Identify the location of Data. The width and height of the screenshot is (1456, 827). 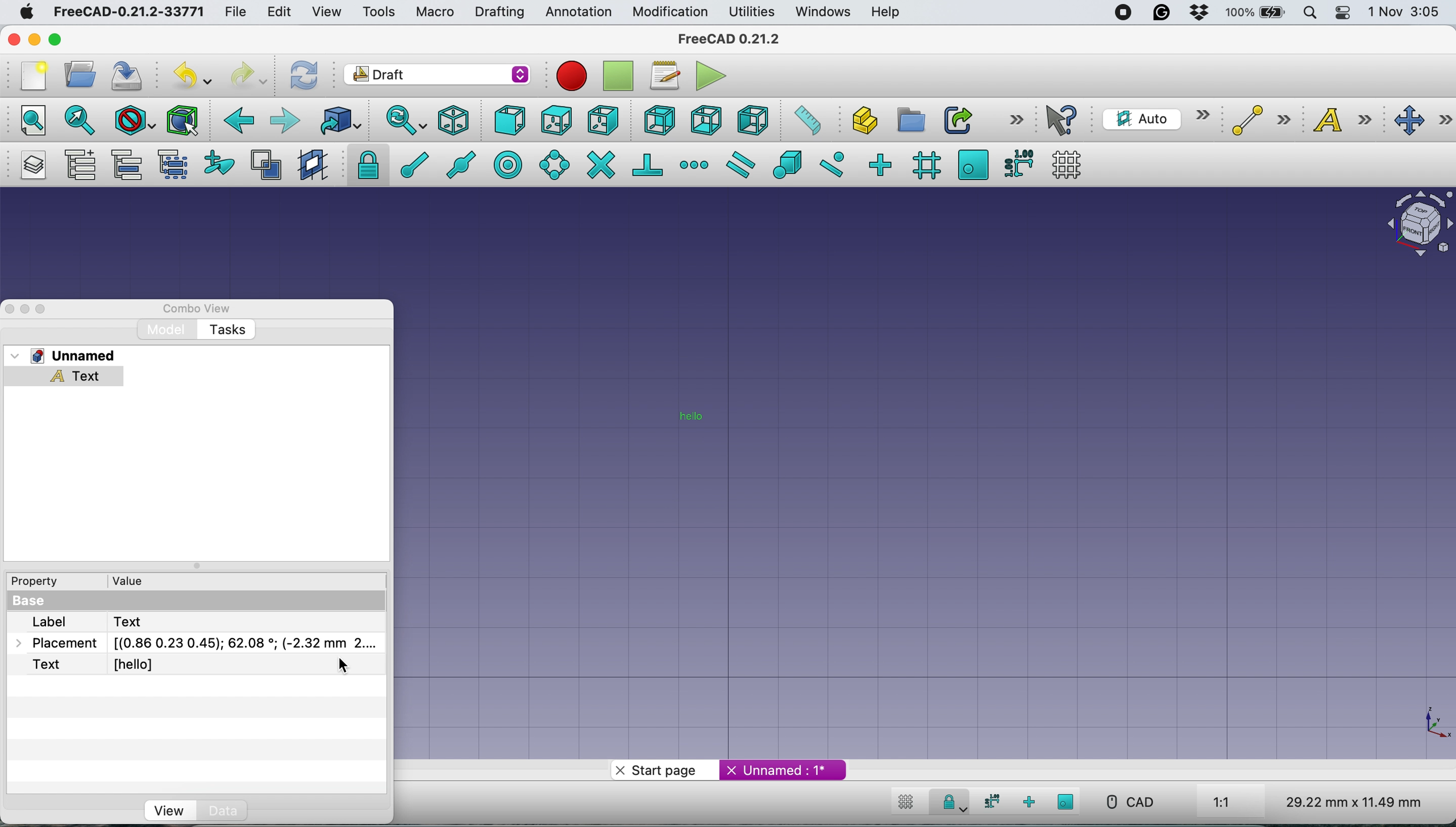
(224, 811).